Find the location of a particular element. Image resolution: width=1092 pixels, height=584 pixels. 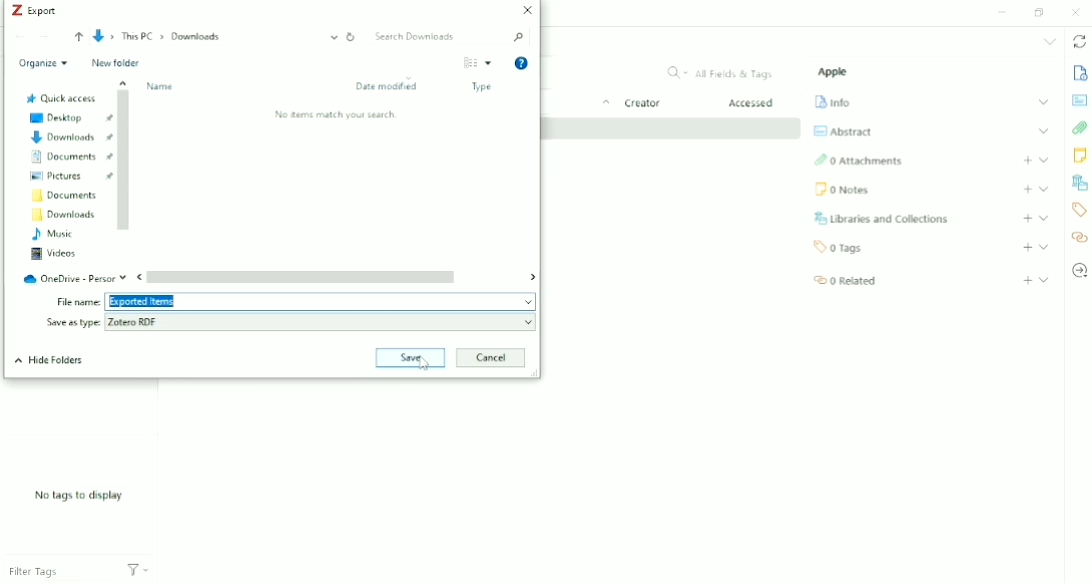

Name is located at coordinates (162, 87).